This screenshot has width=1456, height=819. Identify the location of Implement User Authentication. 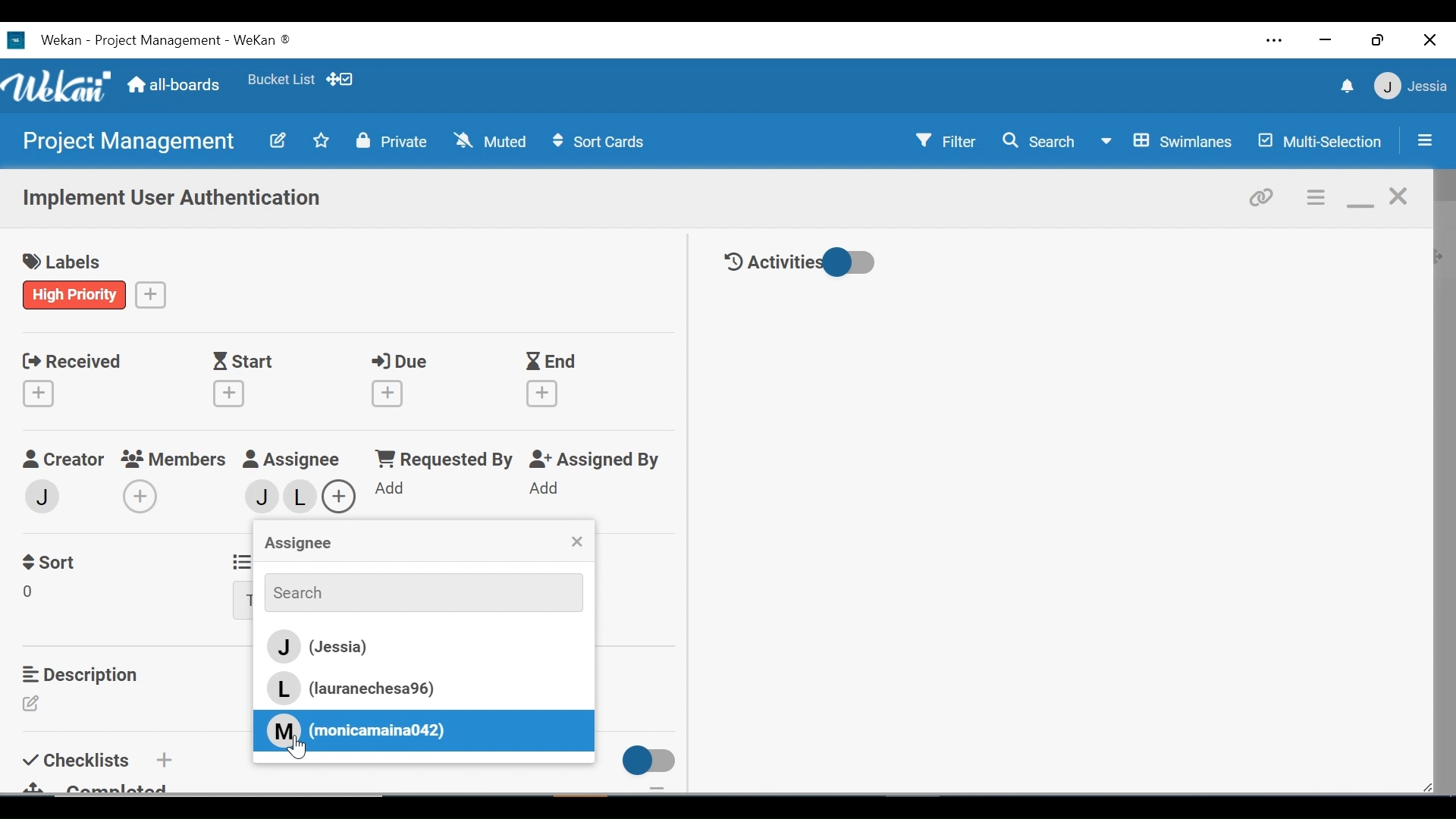
(174, 199).